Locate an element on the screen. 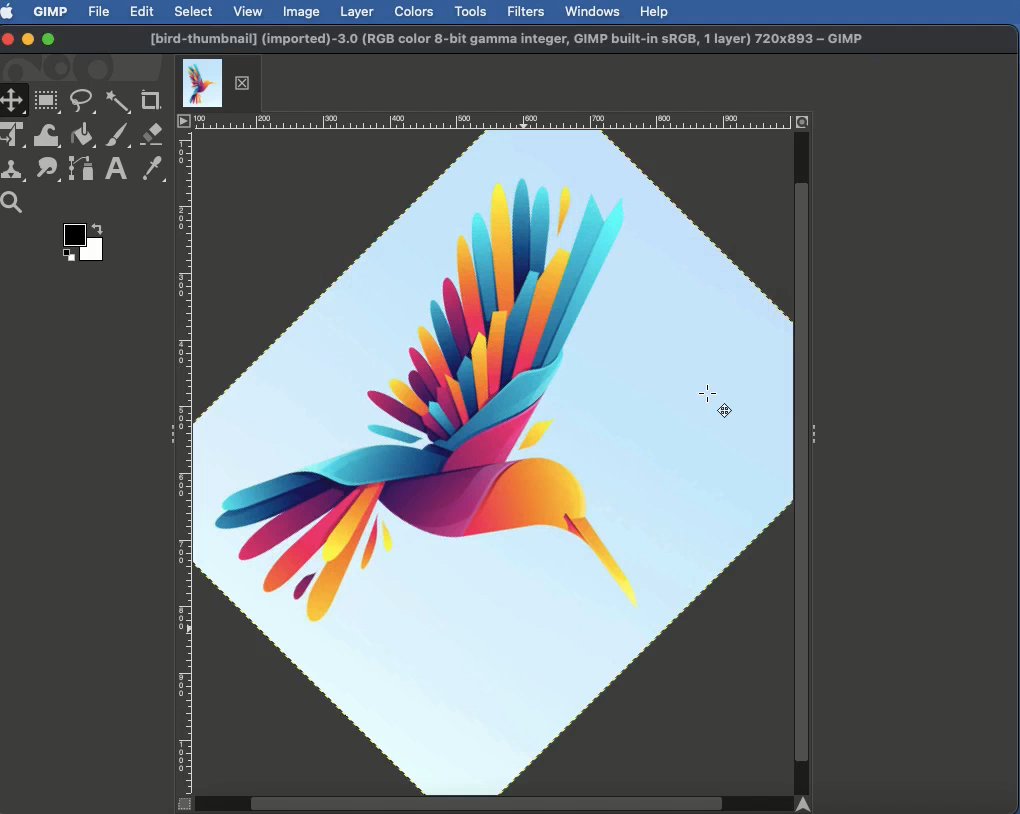 This screenshot has width=1020, height=814. Minimize is located at coordinates (28, 38).